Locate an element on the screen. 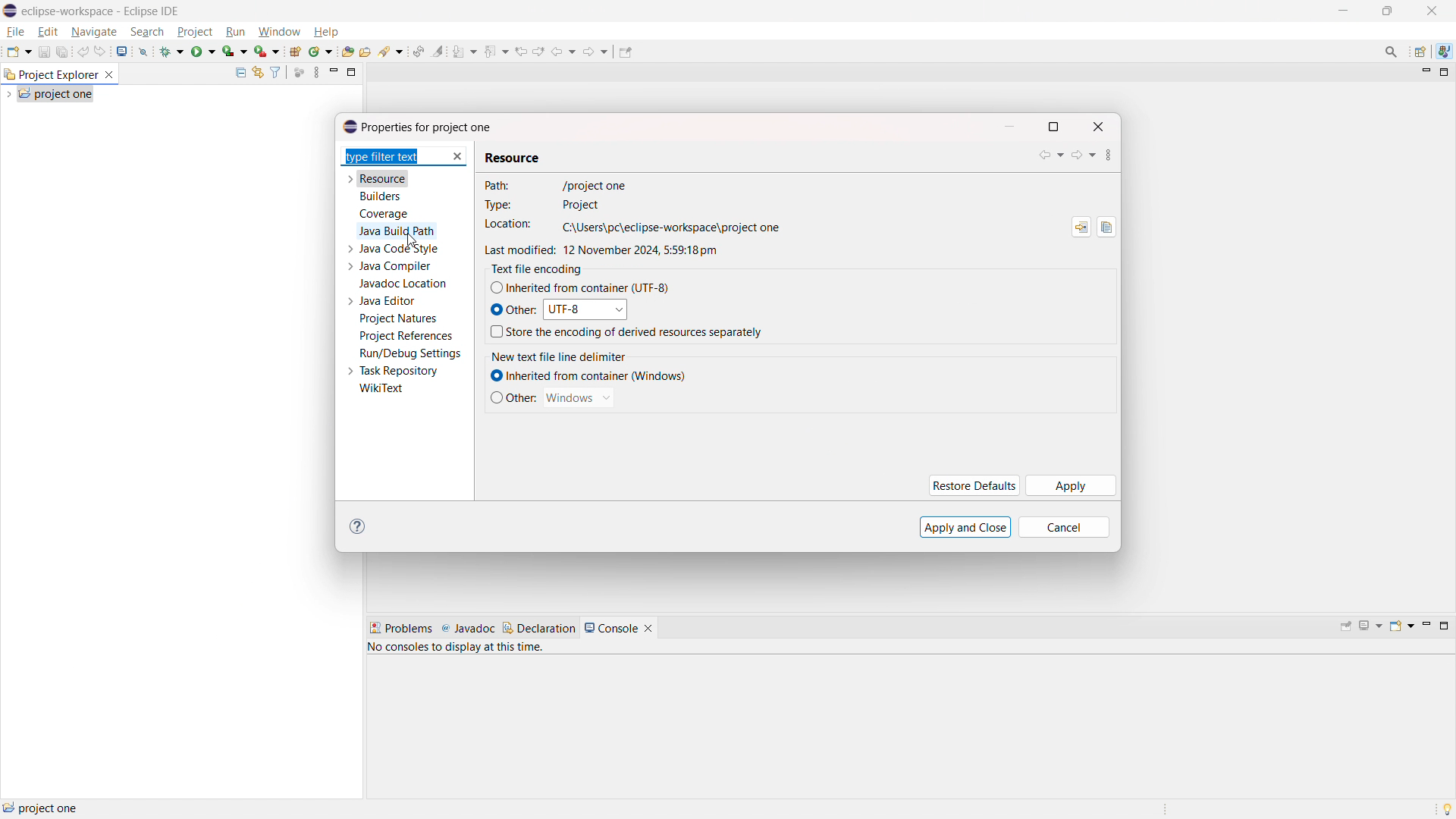  run/debug settings is located at coordinates (411, 353).